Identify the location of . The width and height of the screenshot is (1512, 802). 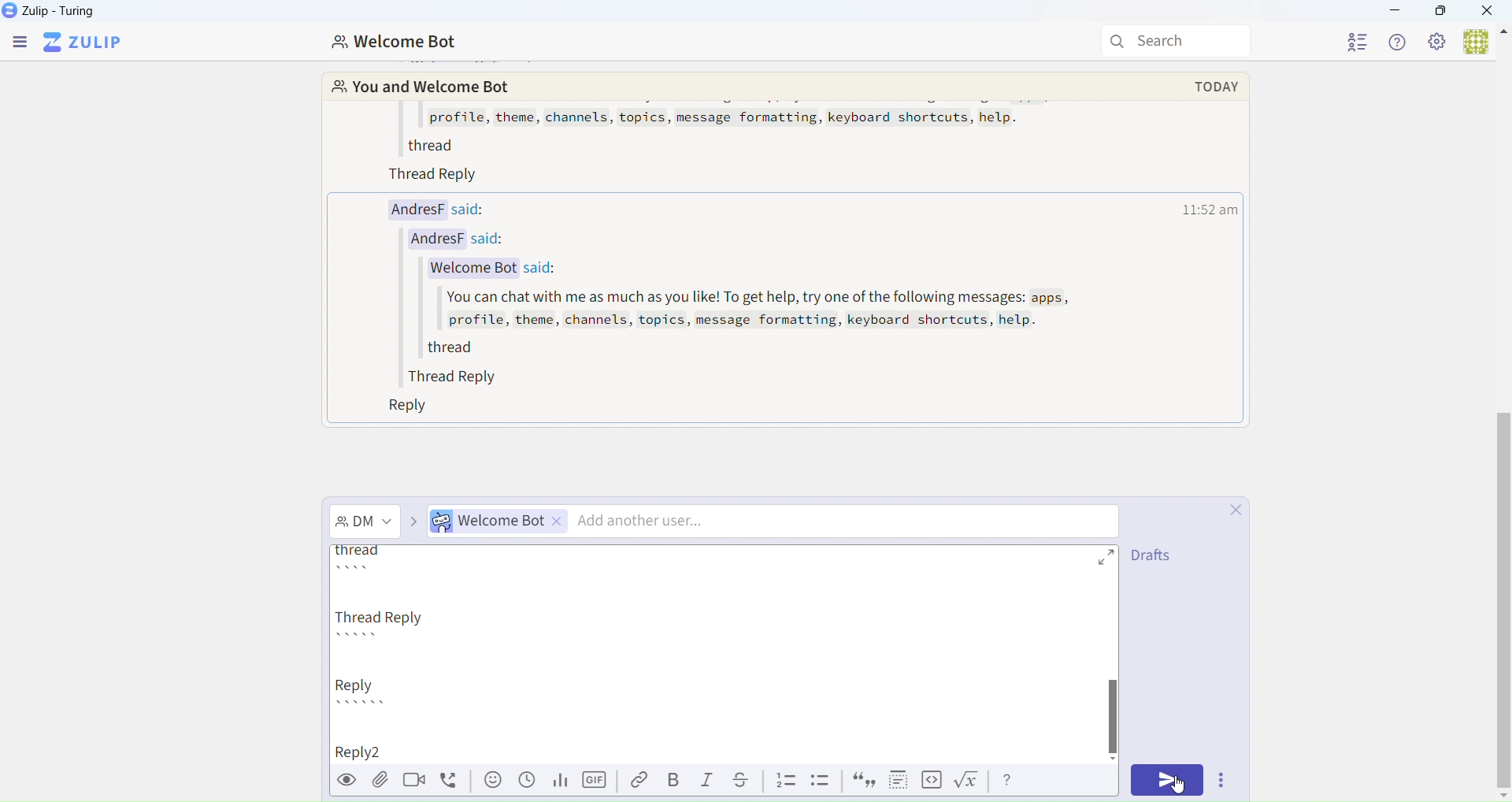
(1395, 13).